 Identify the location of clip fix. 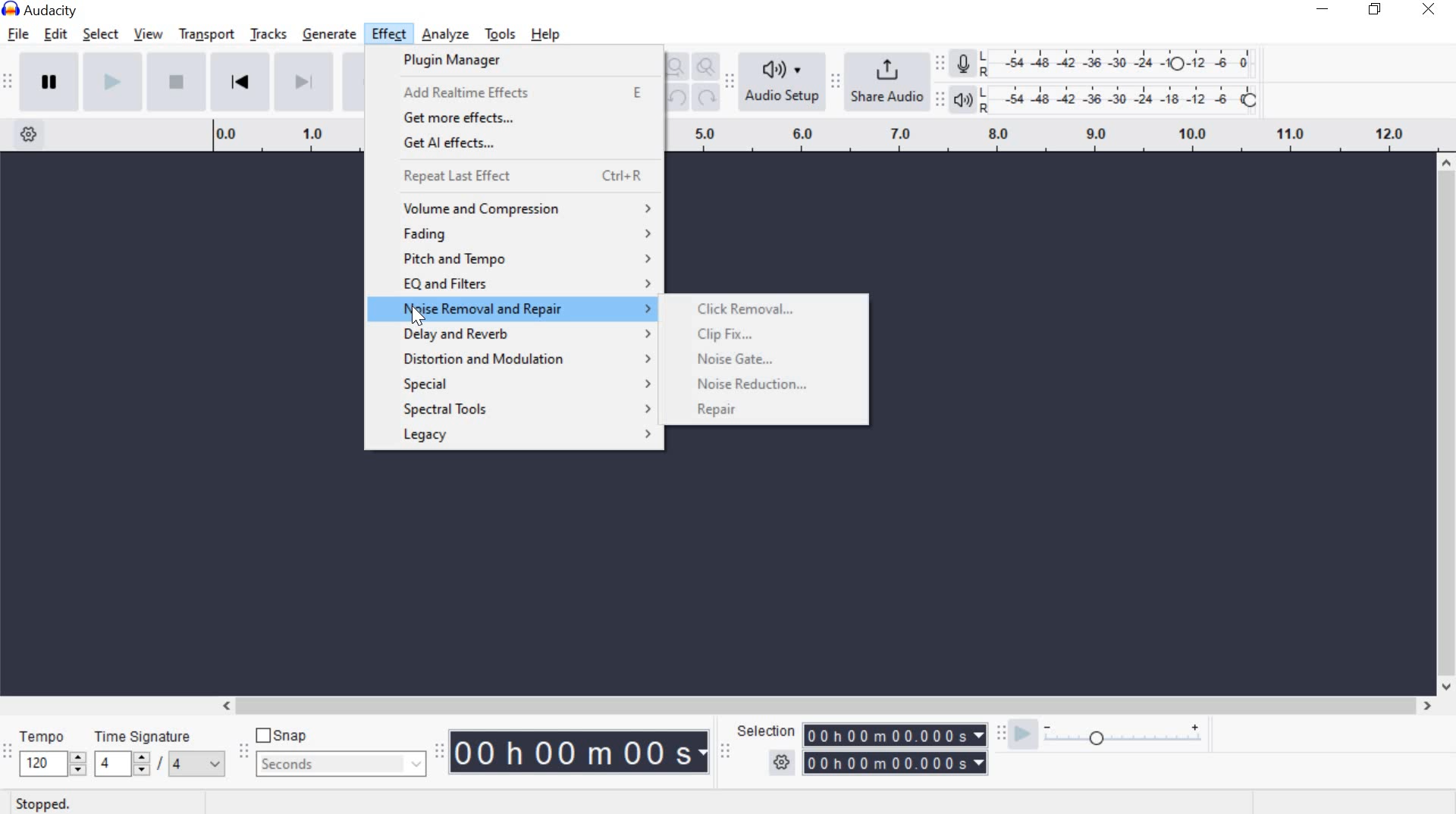
(761, 336).